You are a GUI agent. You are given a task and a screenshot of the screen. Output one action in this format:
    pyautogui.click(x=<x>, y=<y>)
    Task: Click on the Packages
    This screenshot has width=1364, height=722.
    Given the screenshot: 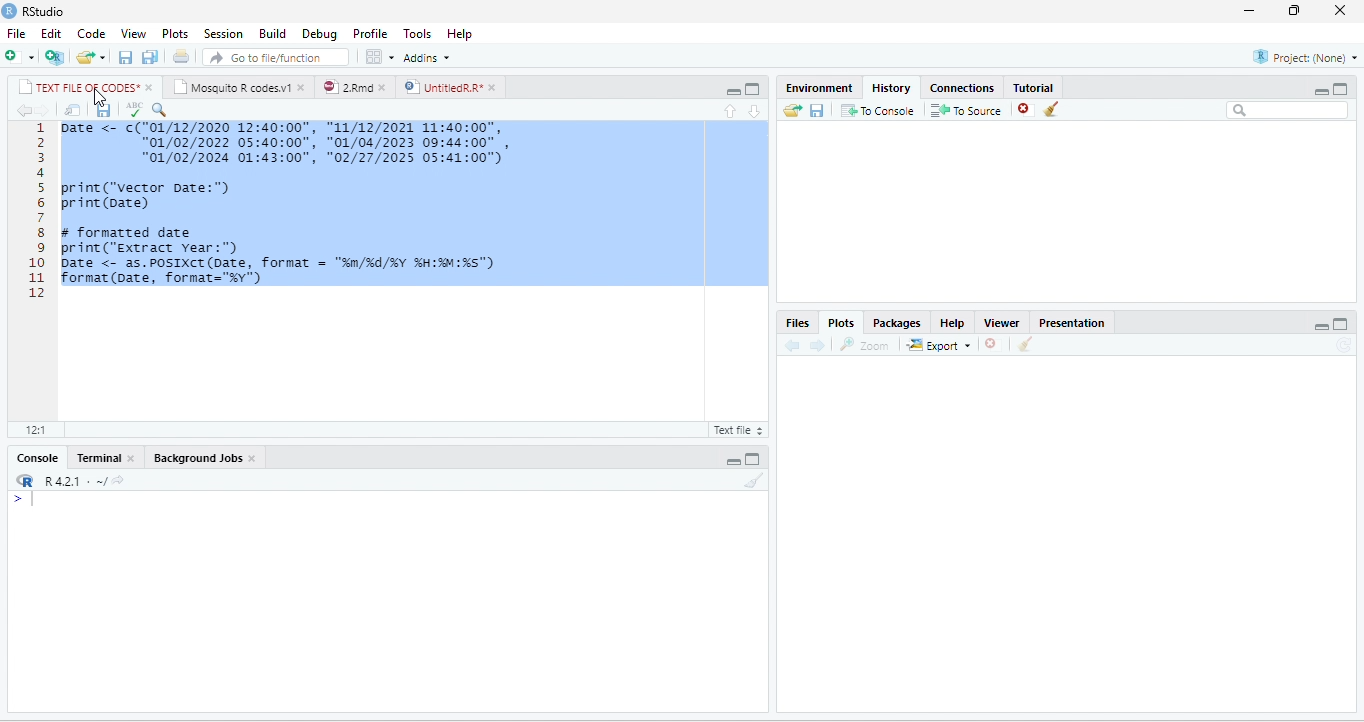 What is the action you would take?
    pyautogui.click(x=898, y=323)
    